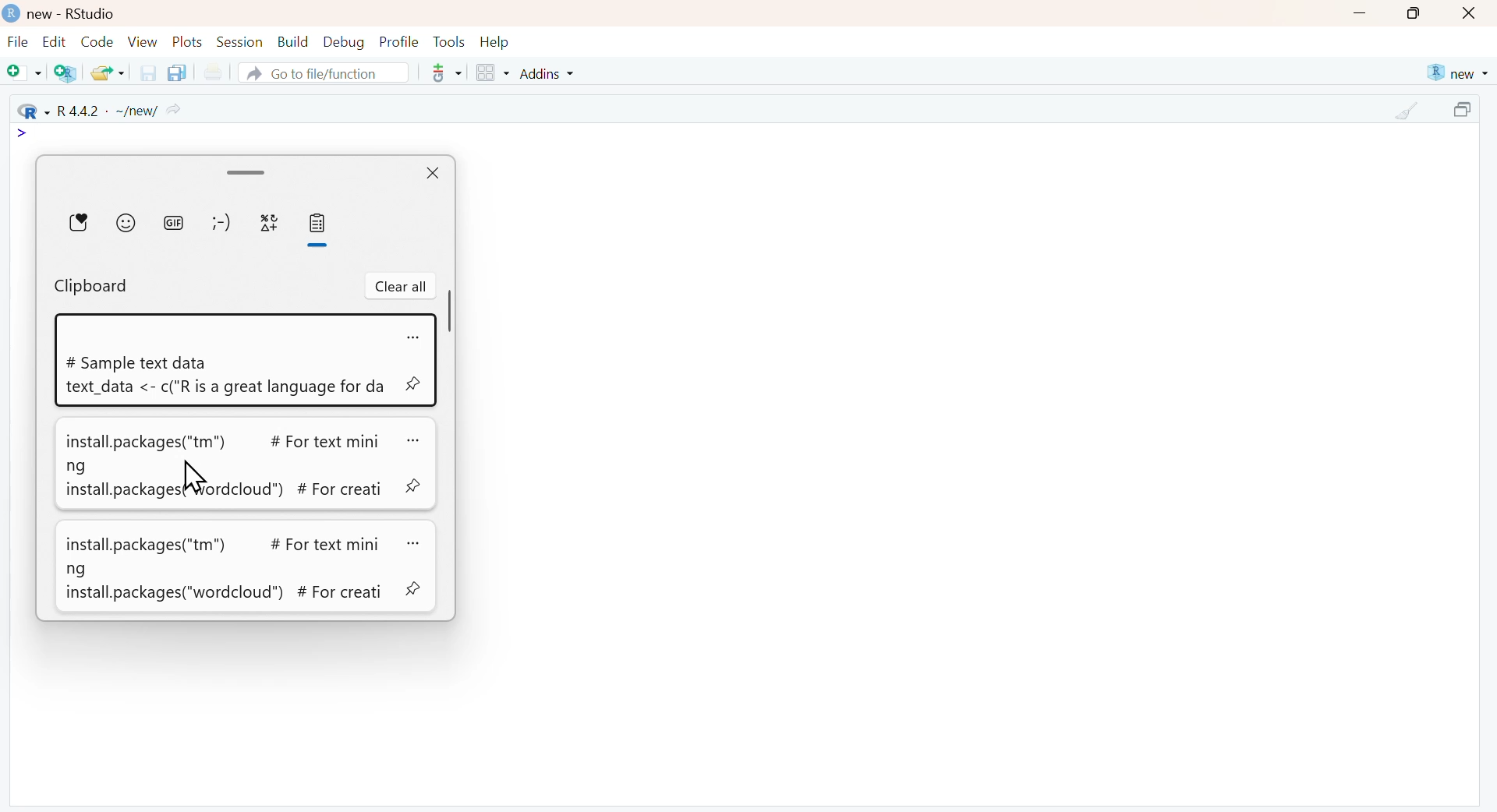 Image resolution: width=1497 pixels, height=812 pixels. What do you see at coordinates (294, 42) in the screenshot?
I see `Build` at bounding box center [294, 42].